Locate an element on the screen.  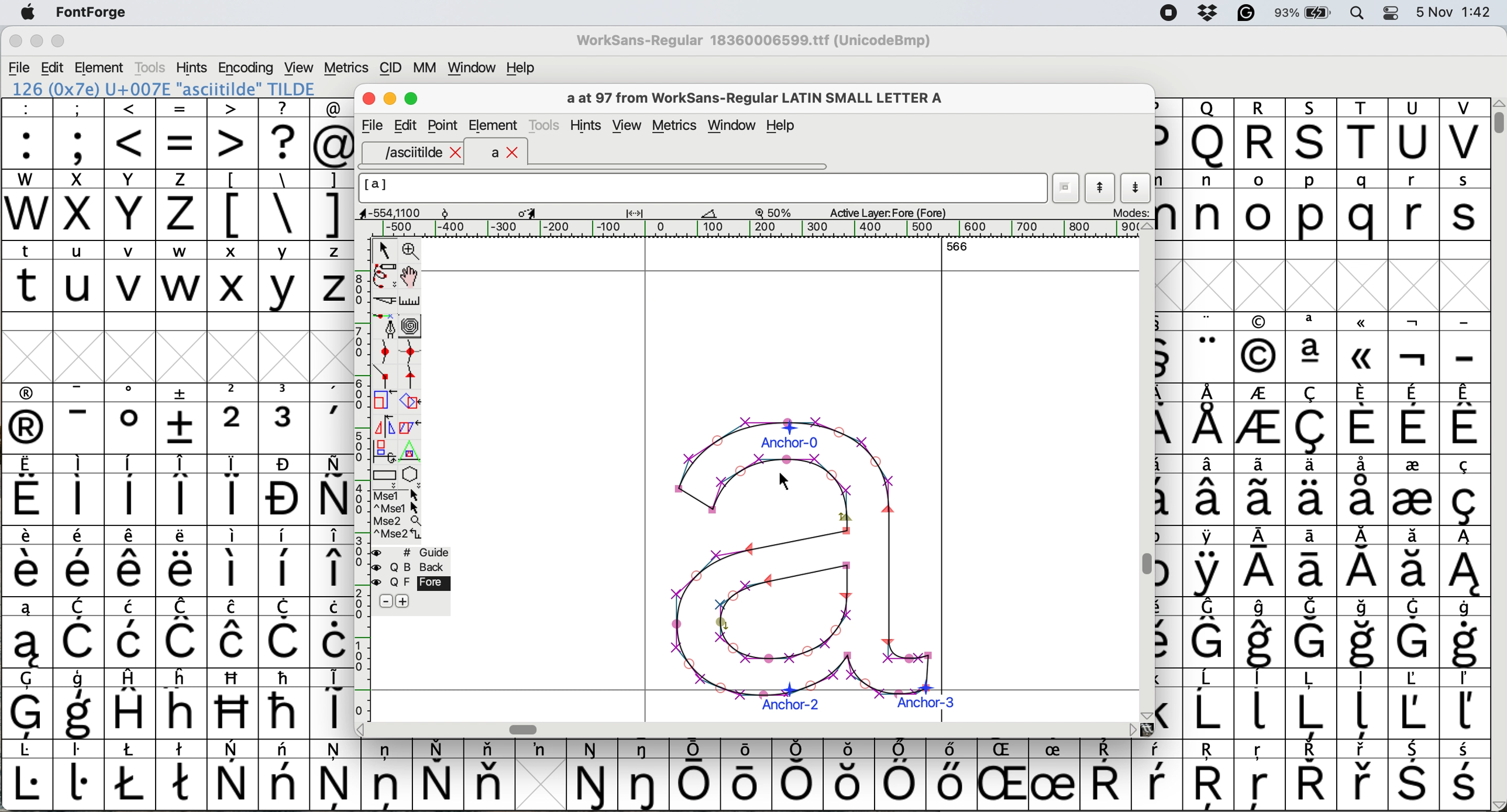
vertical scale is located at coordinates (361, 466).